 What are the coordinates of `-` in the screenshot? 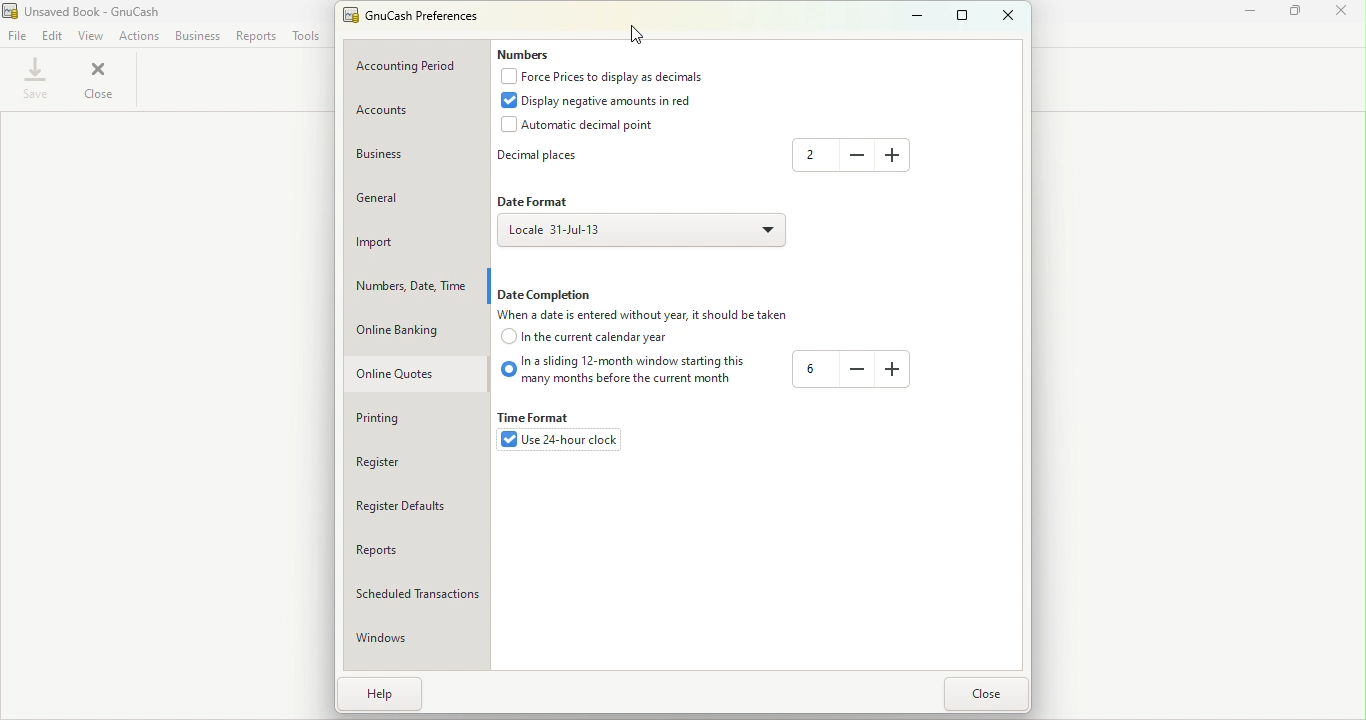 It's located at (852, 371).